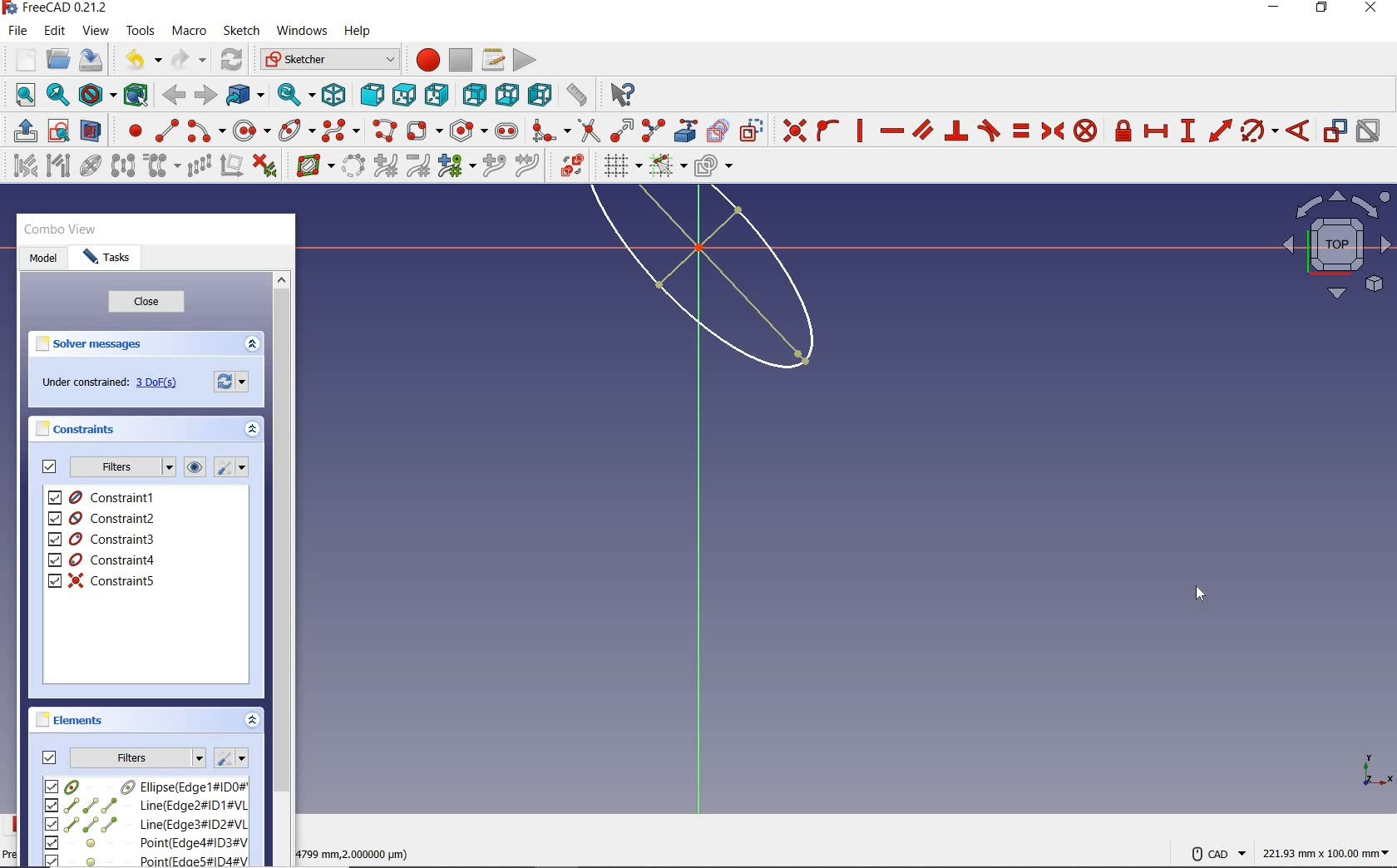  Describe the element at coordinates (541, 94) in the screenshot. I see `left` at that location.